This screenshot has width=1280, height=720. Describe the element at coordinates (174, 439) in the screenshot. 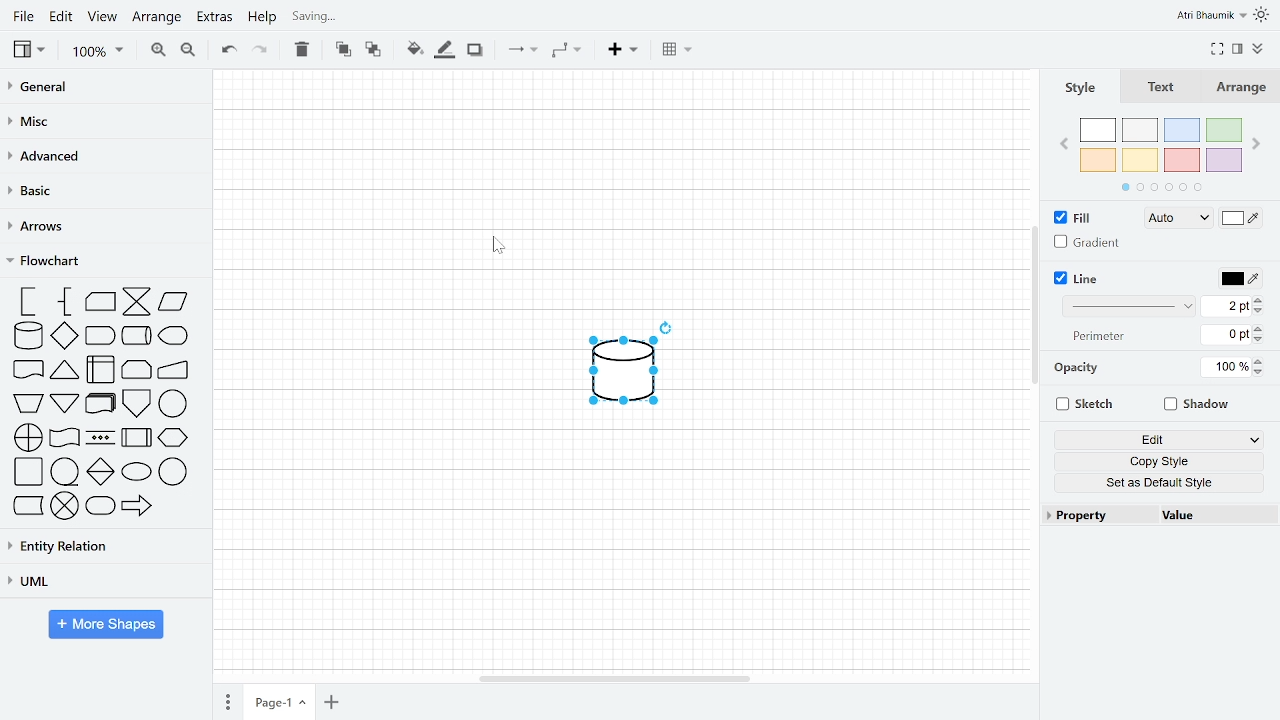

I see `preparation` at that location.